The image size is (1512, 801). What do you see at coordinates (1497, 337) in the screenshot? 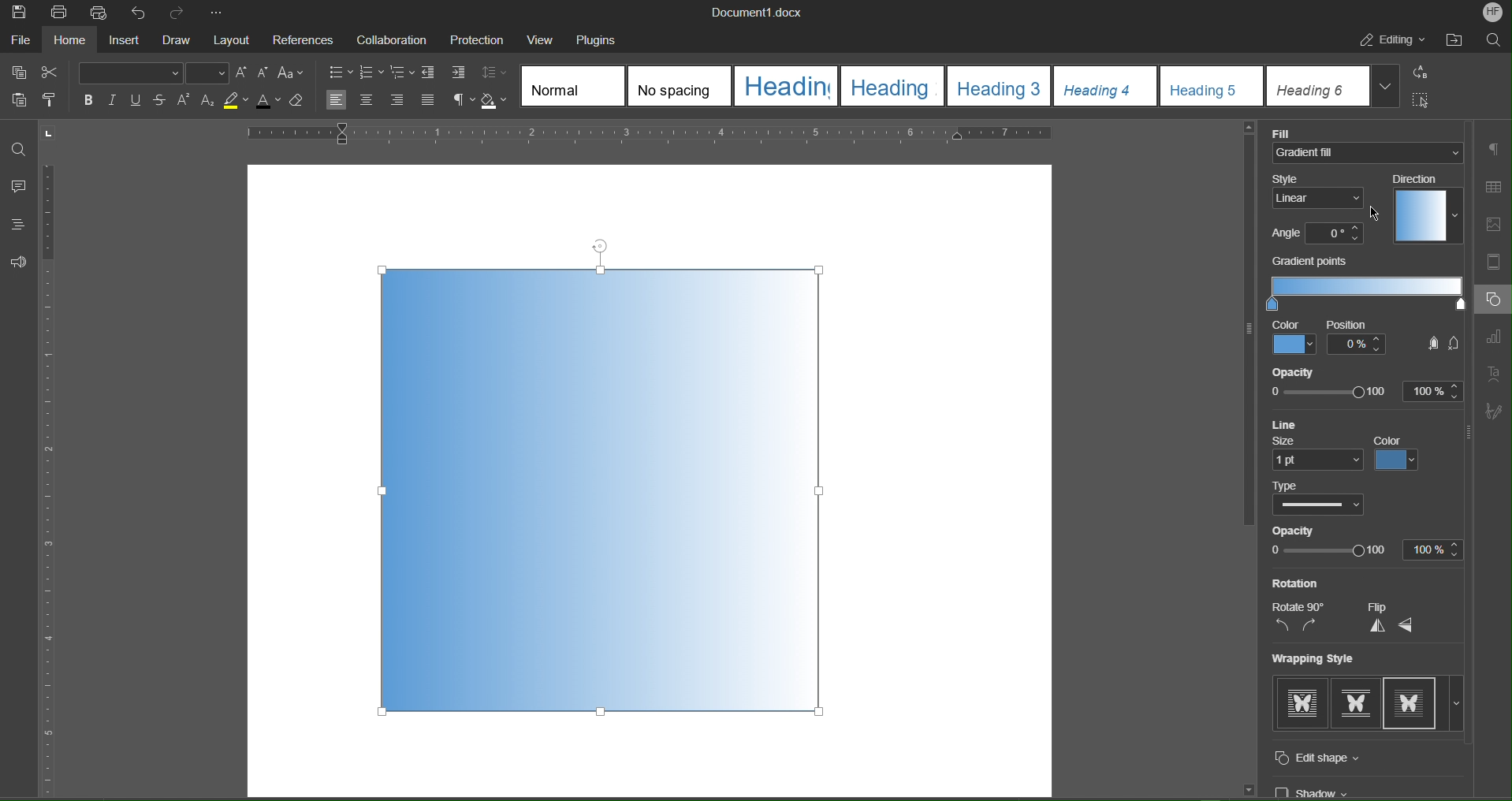
I see `Graph Settings` at bounding box center [1497, 337].